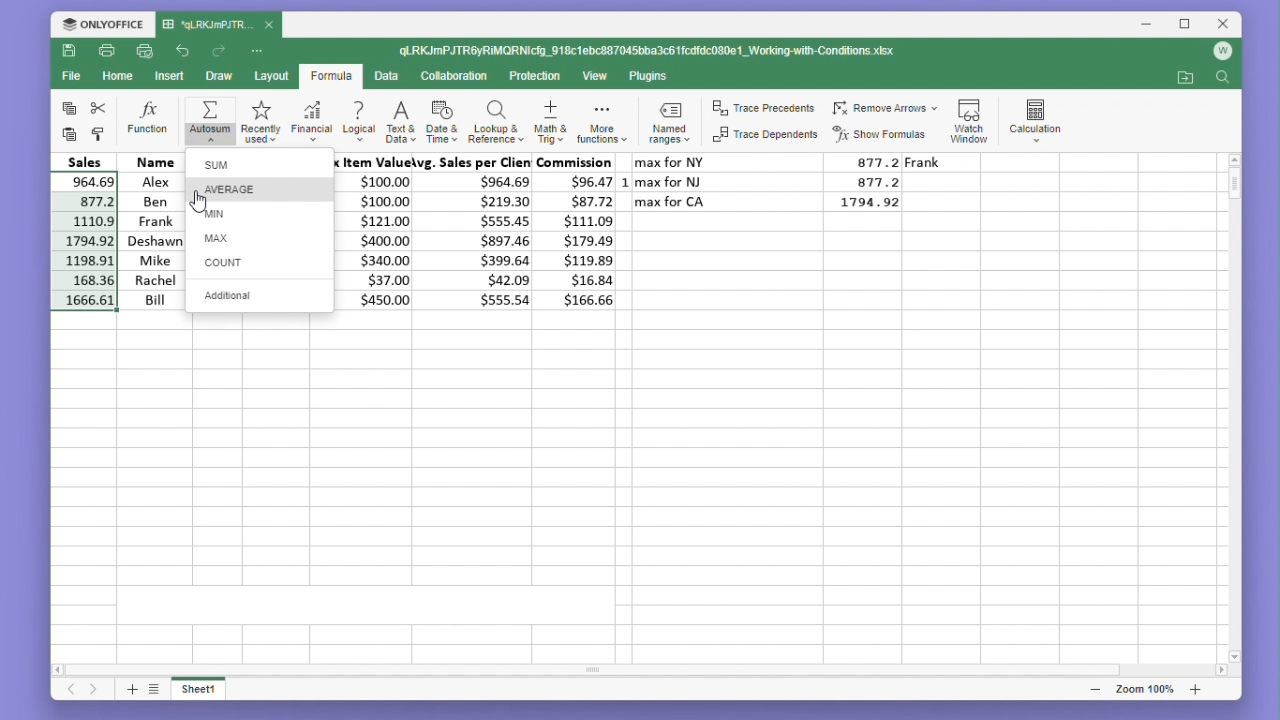 The image size is (1280, 720). Describe the element at coordinates (1222, 671) in the screenshot. I see `scroll right` at that location.